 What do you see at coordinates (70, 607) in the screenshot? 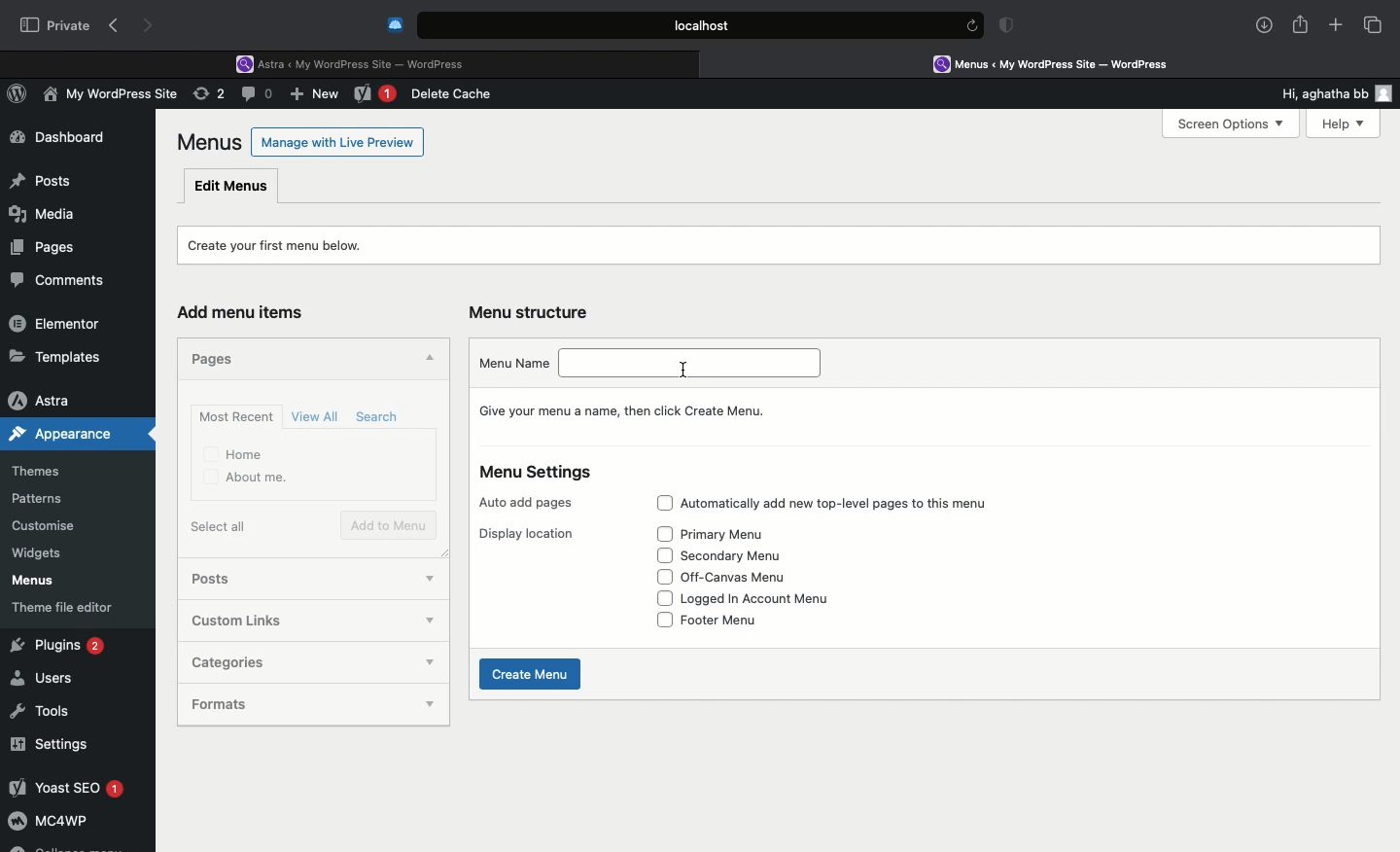
I see `Theme file editor` at bounding box center [70, 607].